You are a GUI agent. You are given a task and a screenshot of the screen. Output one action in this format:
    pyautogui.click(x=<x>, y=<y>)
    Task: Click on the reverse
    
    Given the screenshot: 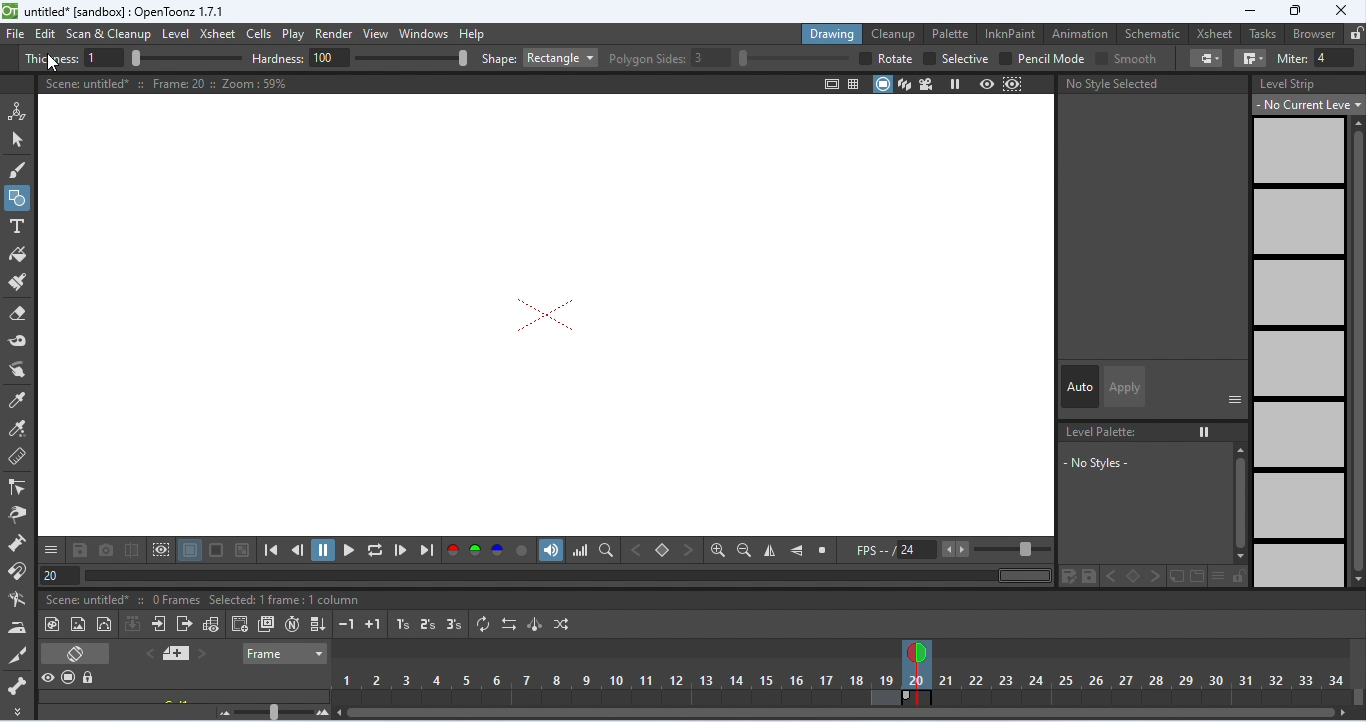 What is the action you would take?
    pyautogui.click(x=508, y=624)
    